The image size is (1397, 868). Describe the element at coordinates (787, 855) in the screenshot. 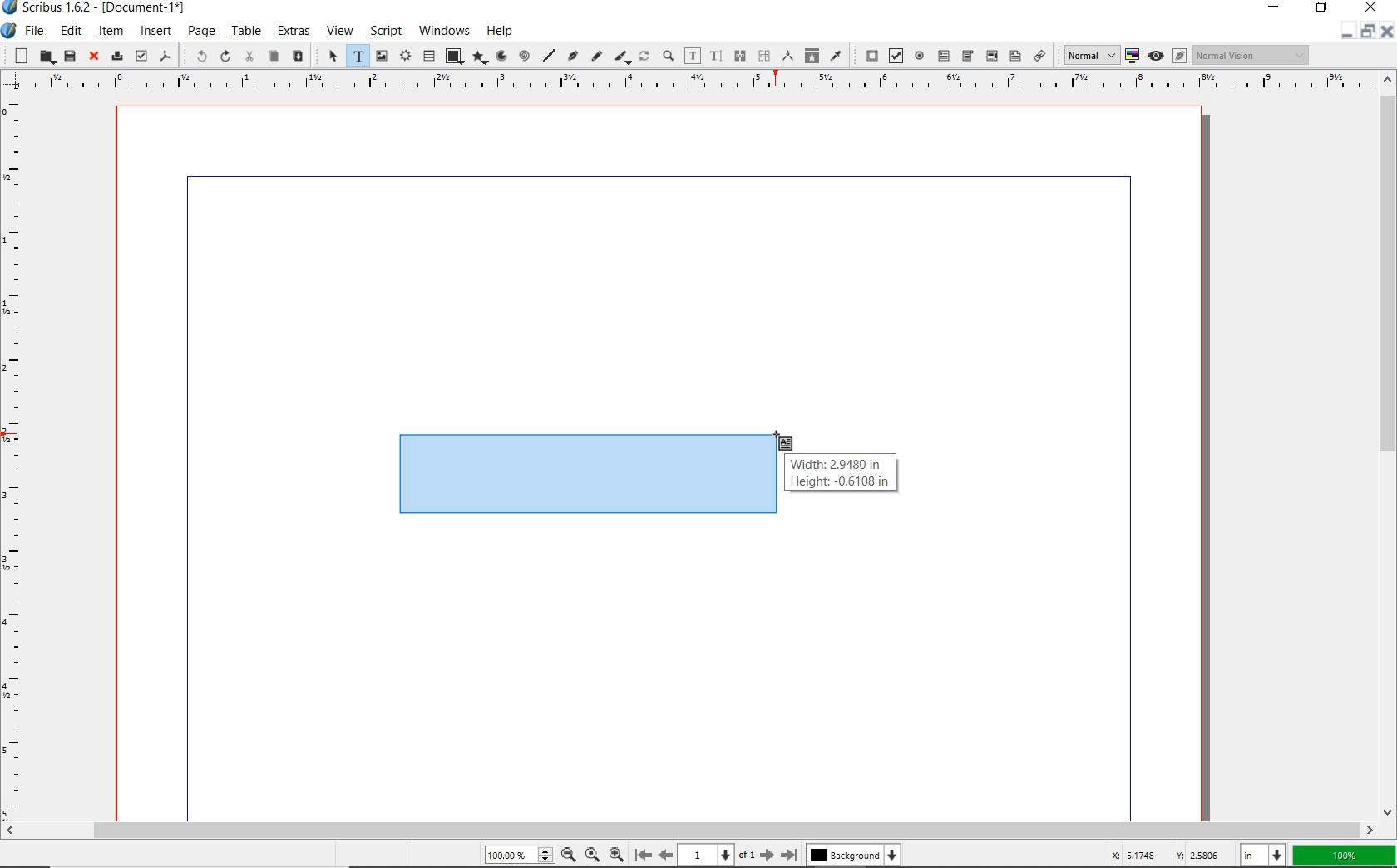

I see `Last page` at that location.